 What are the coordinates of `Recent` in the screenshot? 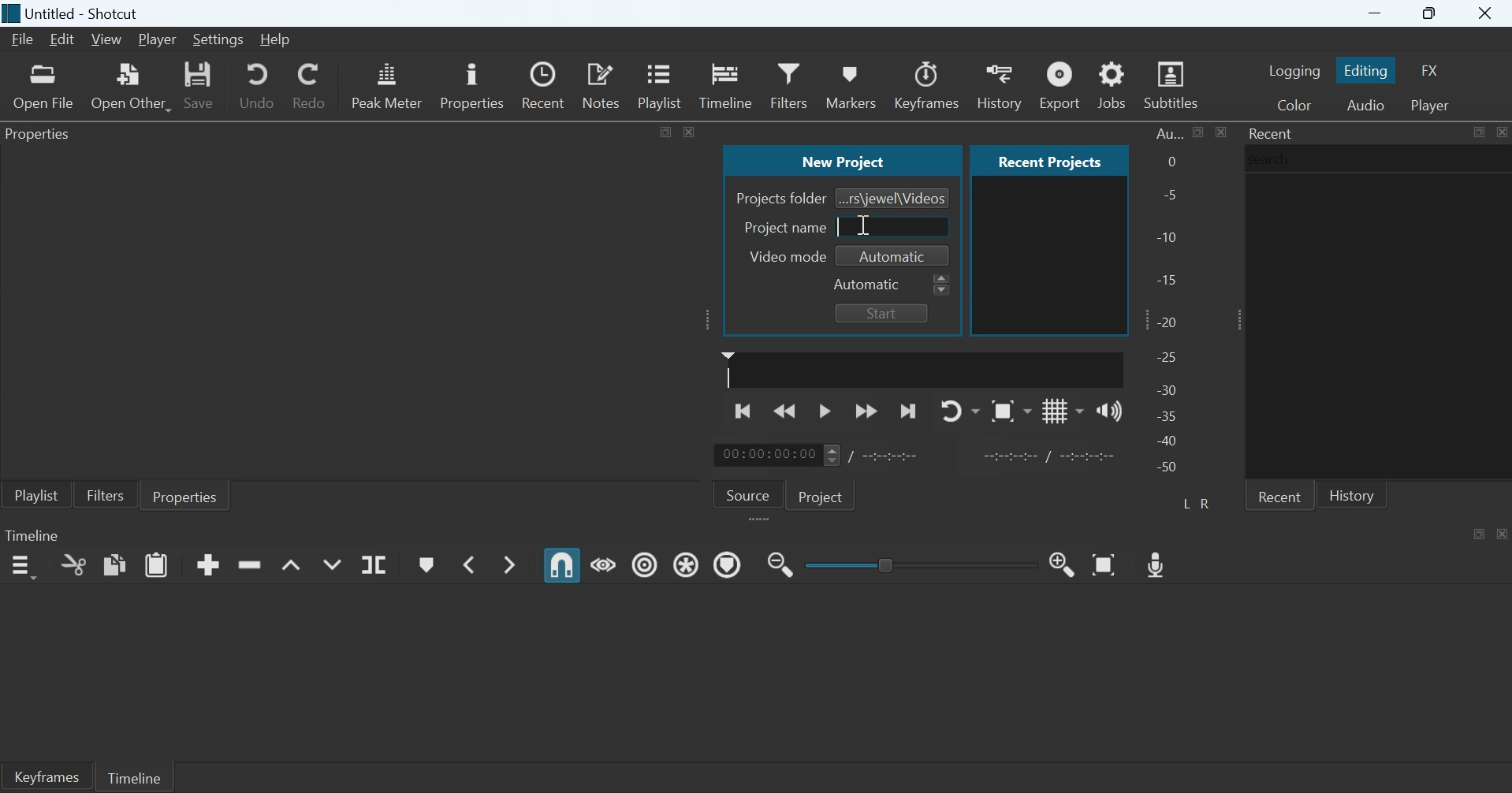 It's located at (1272, 133).